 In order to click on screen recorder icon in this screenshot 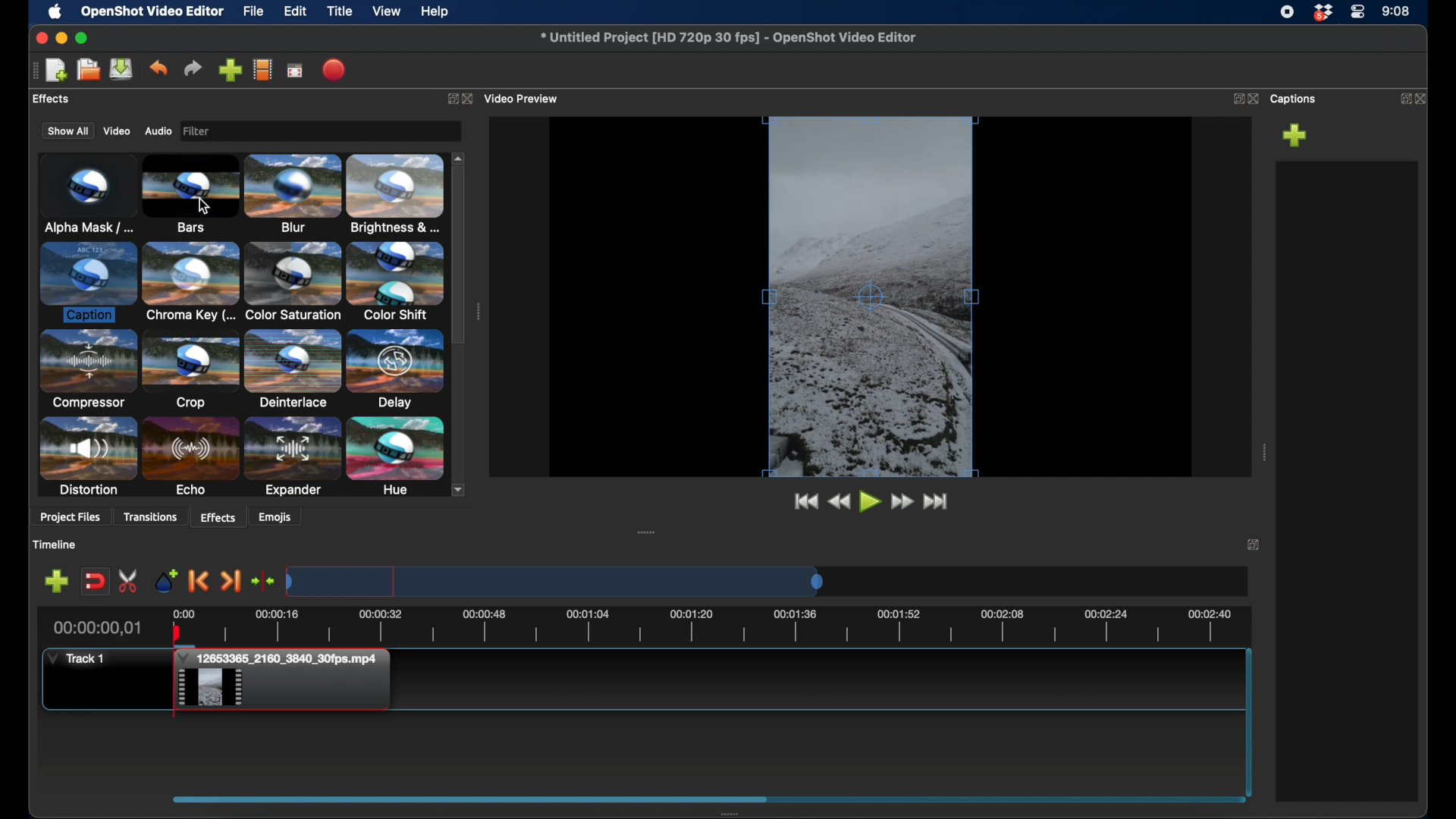, I will do `click(1287, 12)`.